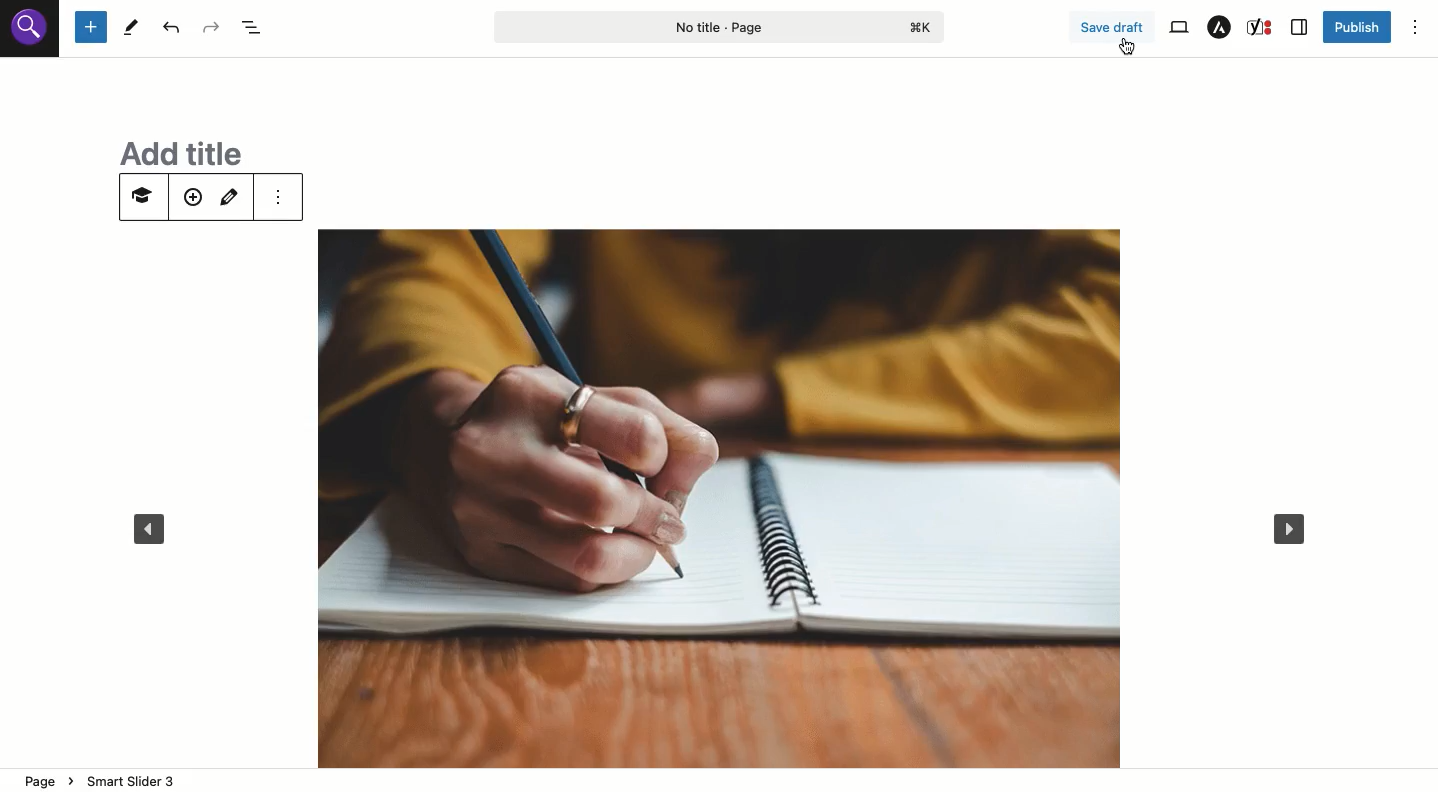  Describe the element at coordinates (91, 28) in the screenshot. I see `Add block` at that location.